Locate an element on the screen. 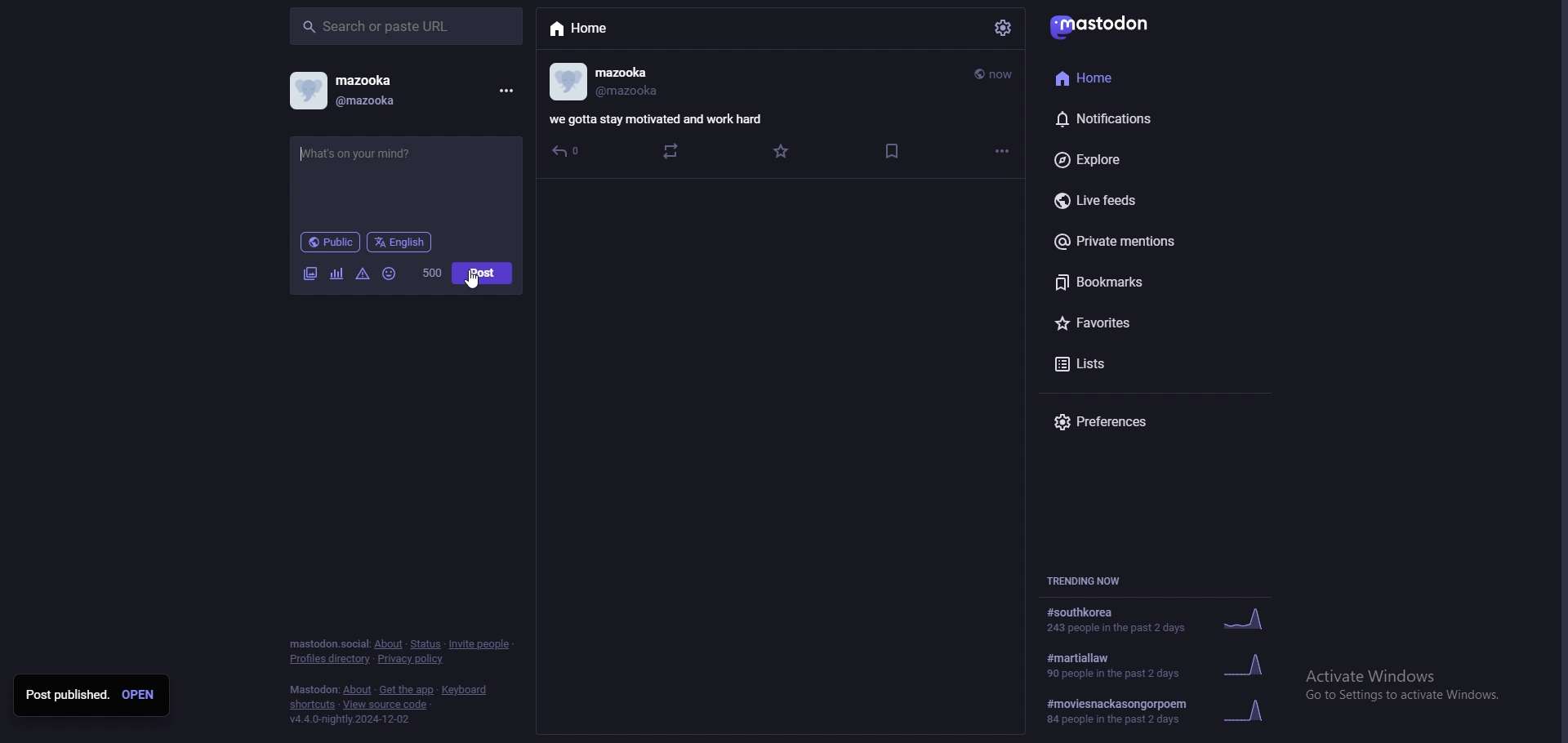  settings is located at coordinates (1001, 29).